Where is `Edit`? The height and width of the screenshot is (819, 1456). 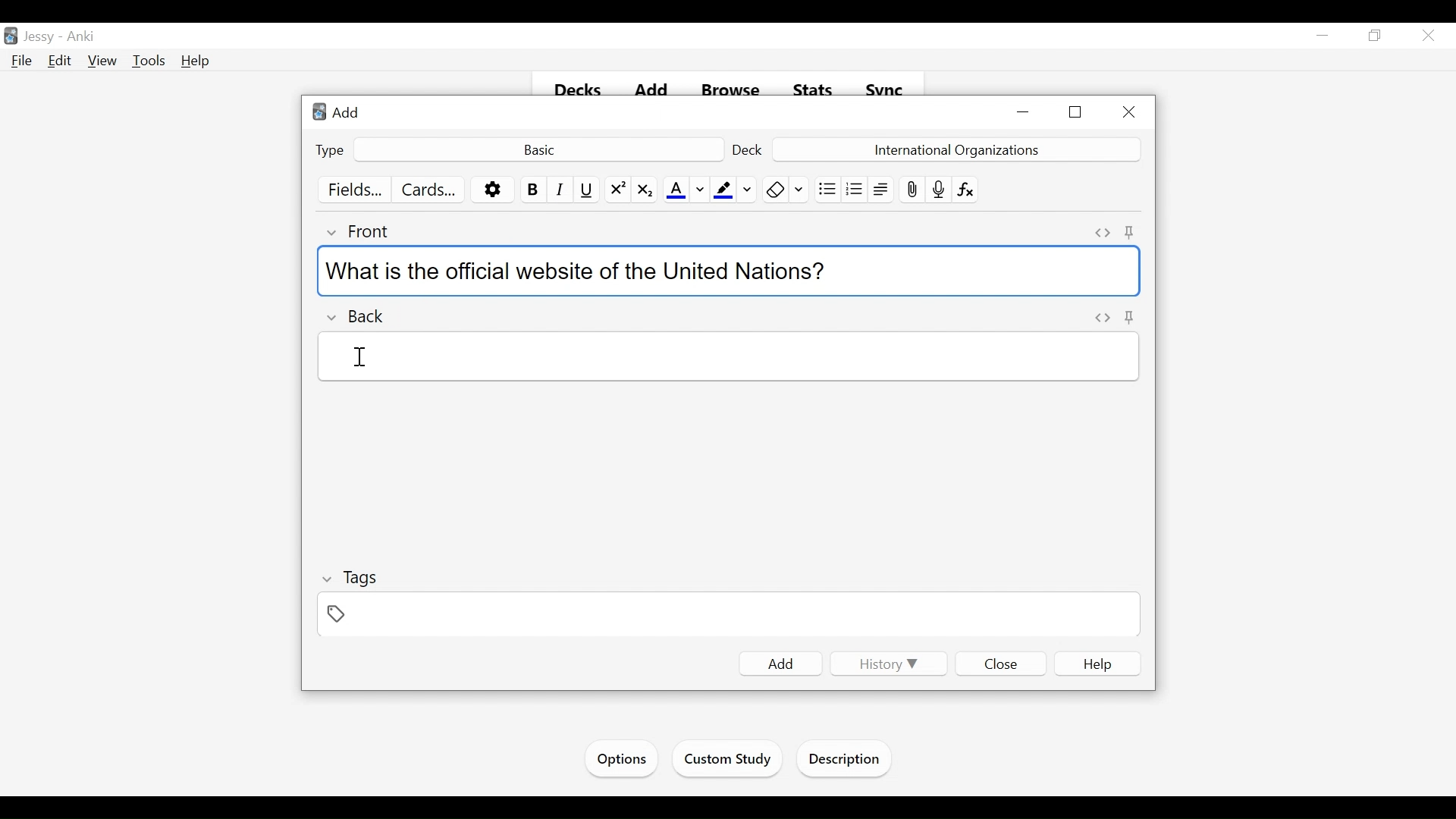
Edit is located at coordinates (61, 60).